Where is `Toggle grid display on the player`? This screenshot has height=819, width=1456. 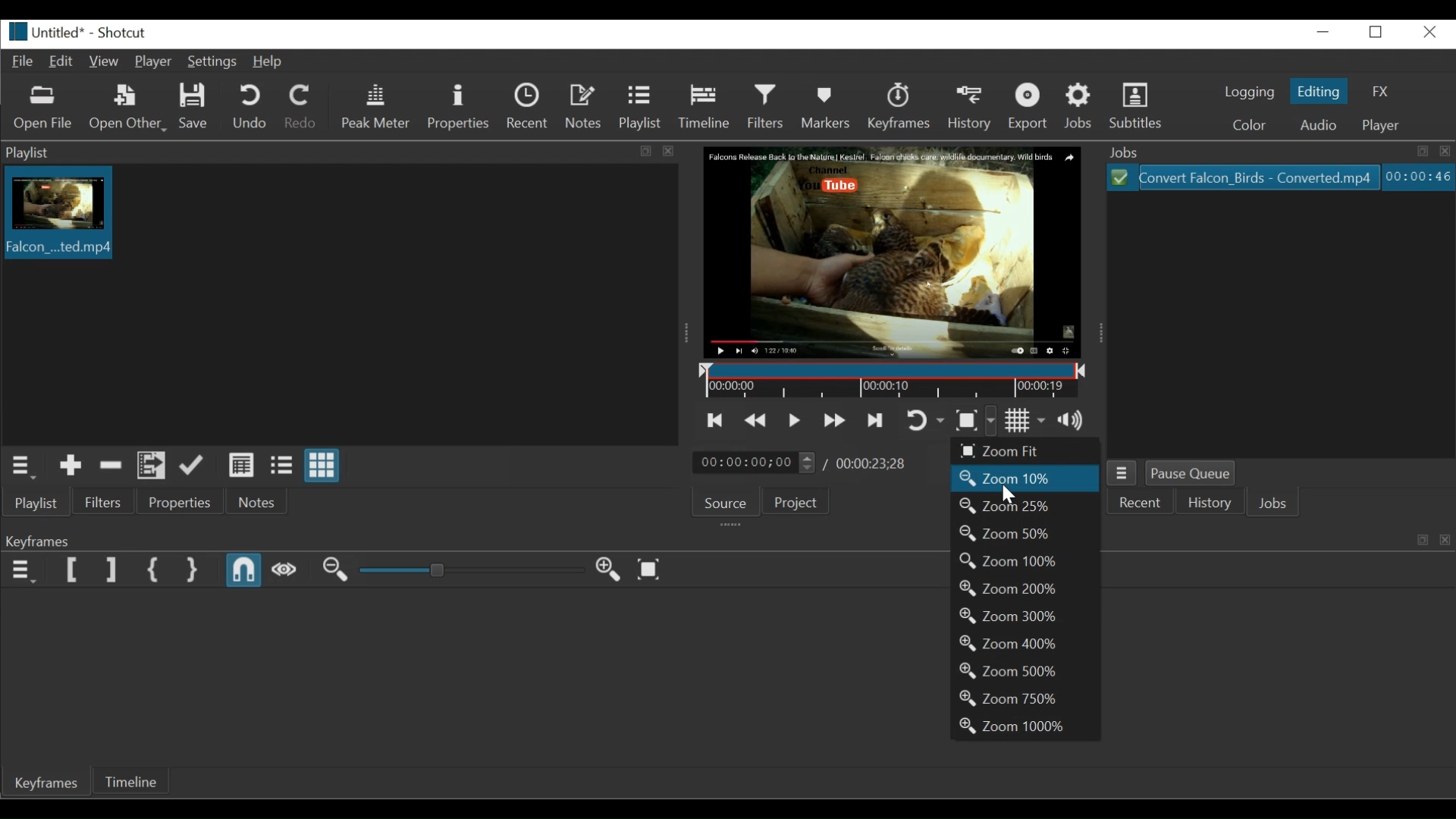 Toggle grid display on the player is located at coordinates (1028, 419).